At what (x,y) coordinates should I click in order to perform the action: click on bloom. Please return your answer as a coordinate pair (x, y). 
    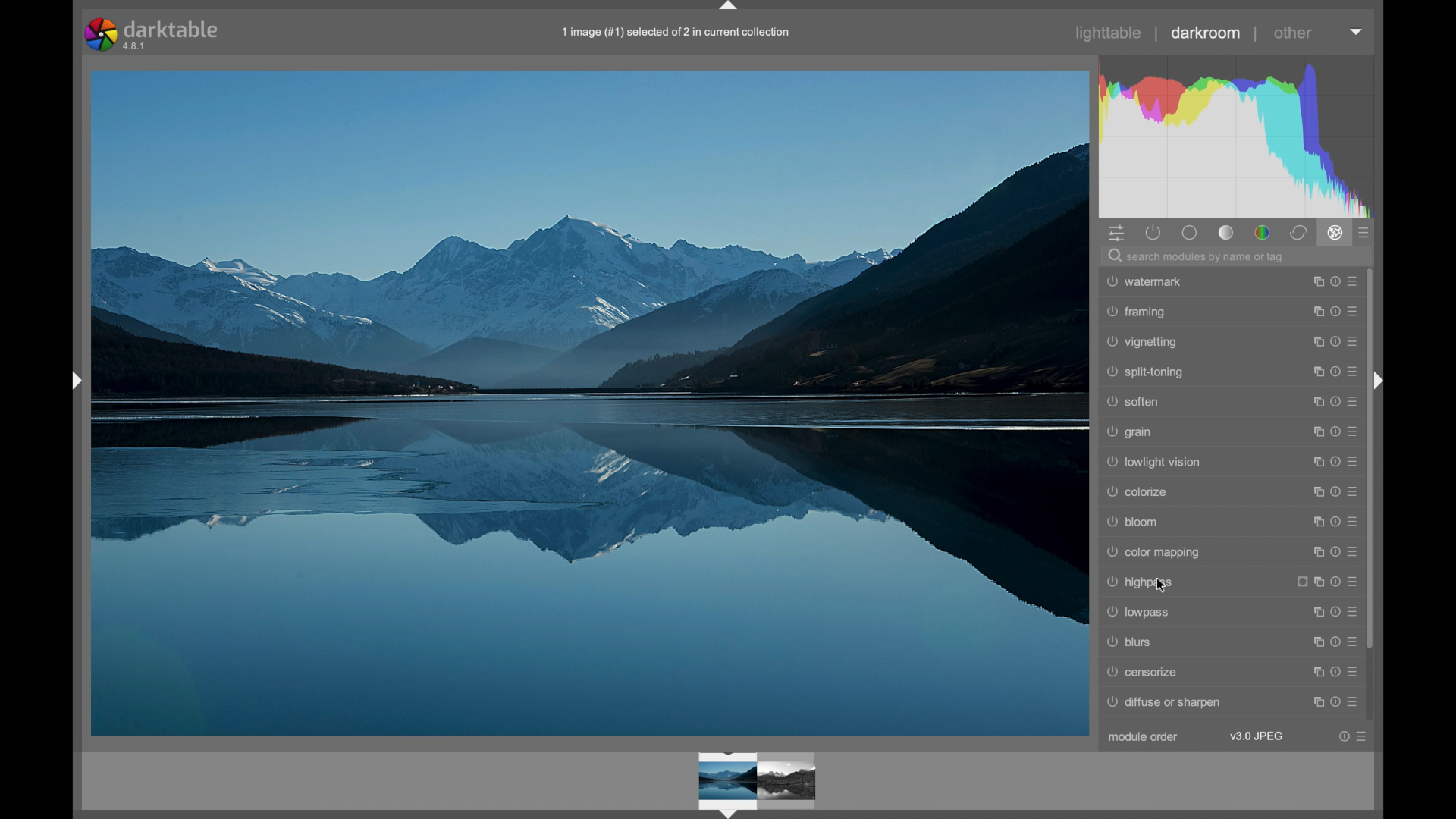
    Looking at the image, I should click on (1134, 522).